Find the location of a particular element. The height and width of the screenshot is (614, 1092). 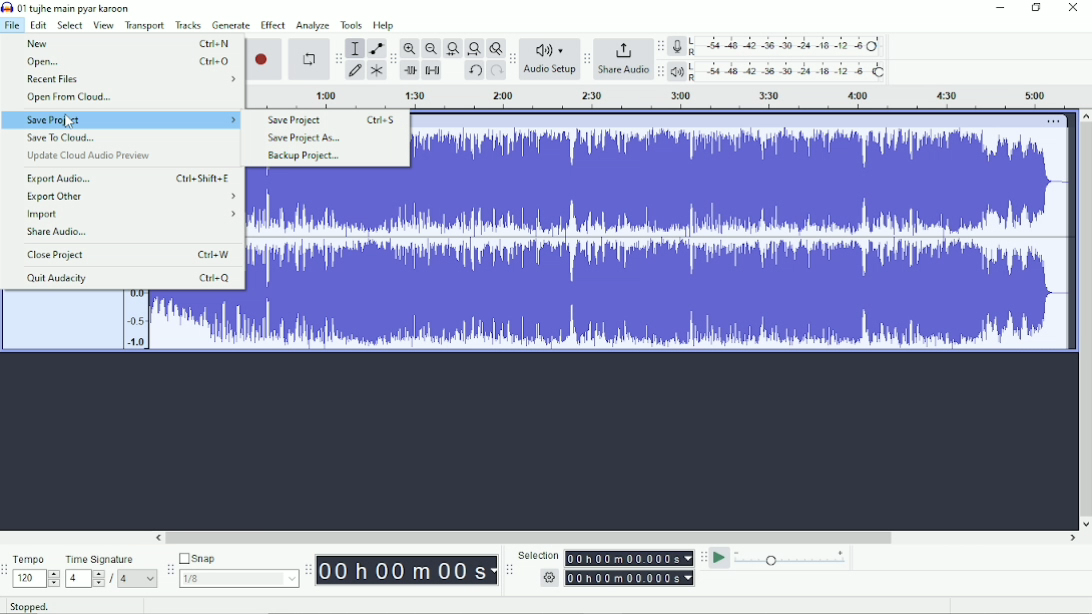

Record meter is located at coordinates (778, 46).